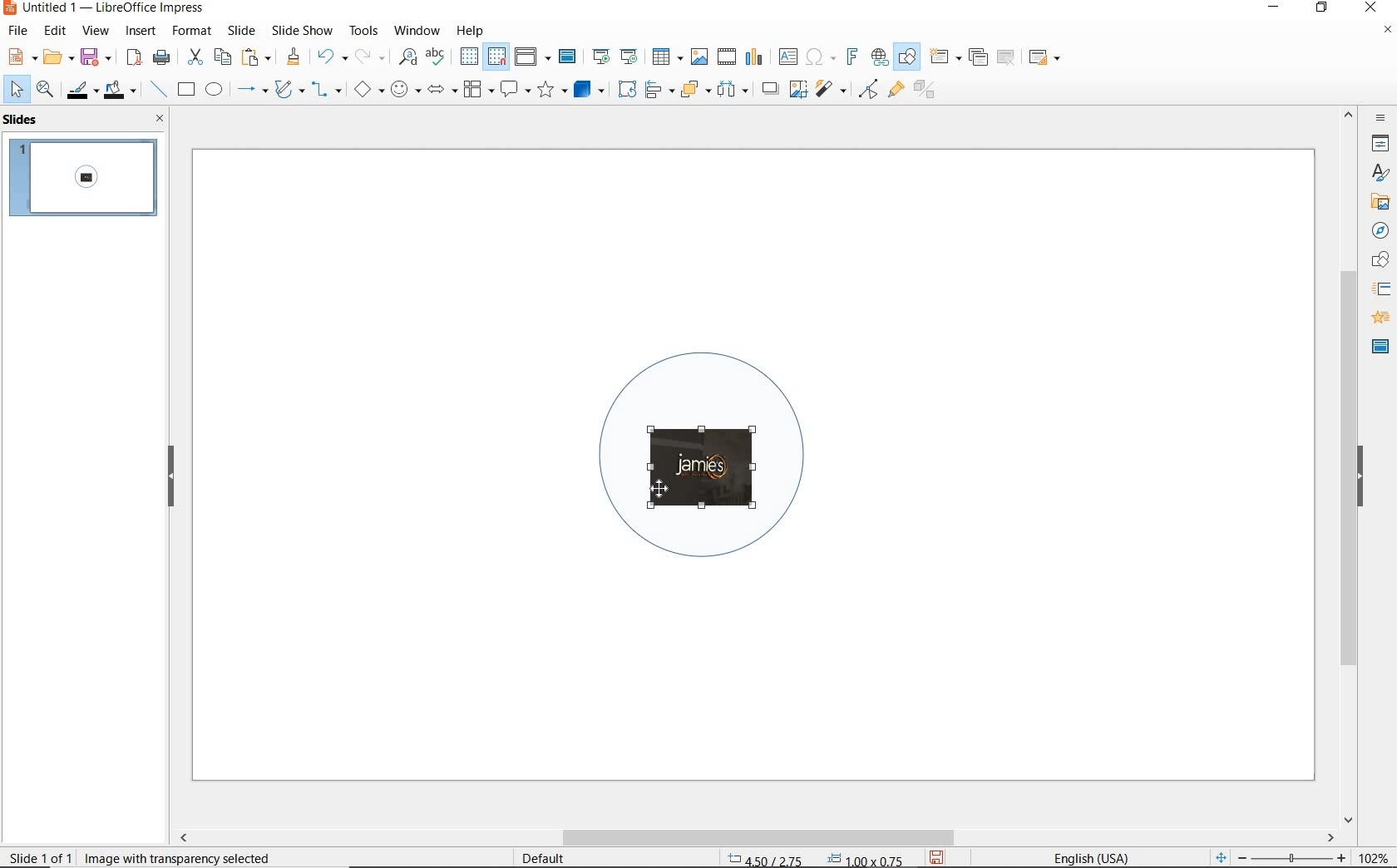 The height and width of the screenshot is (868, 1397). I want to click on block arrows, so click(439, 91).